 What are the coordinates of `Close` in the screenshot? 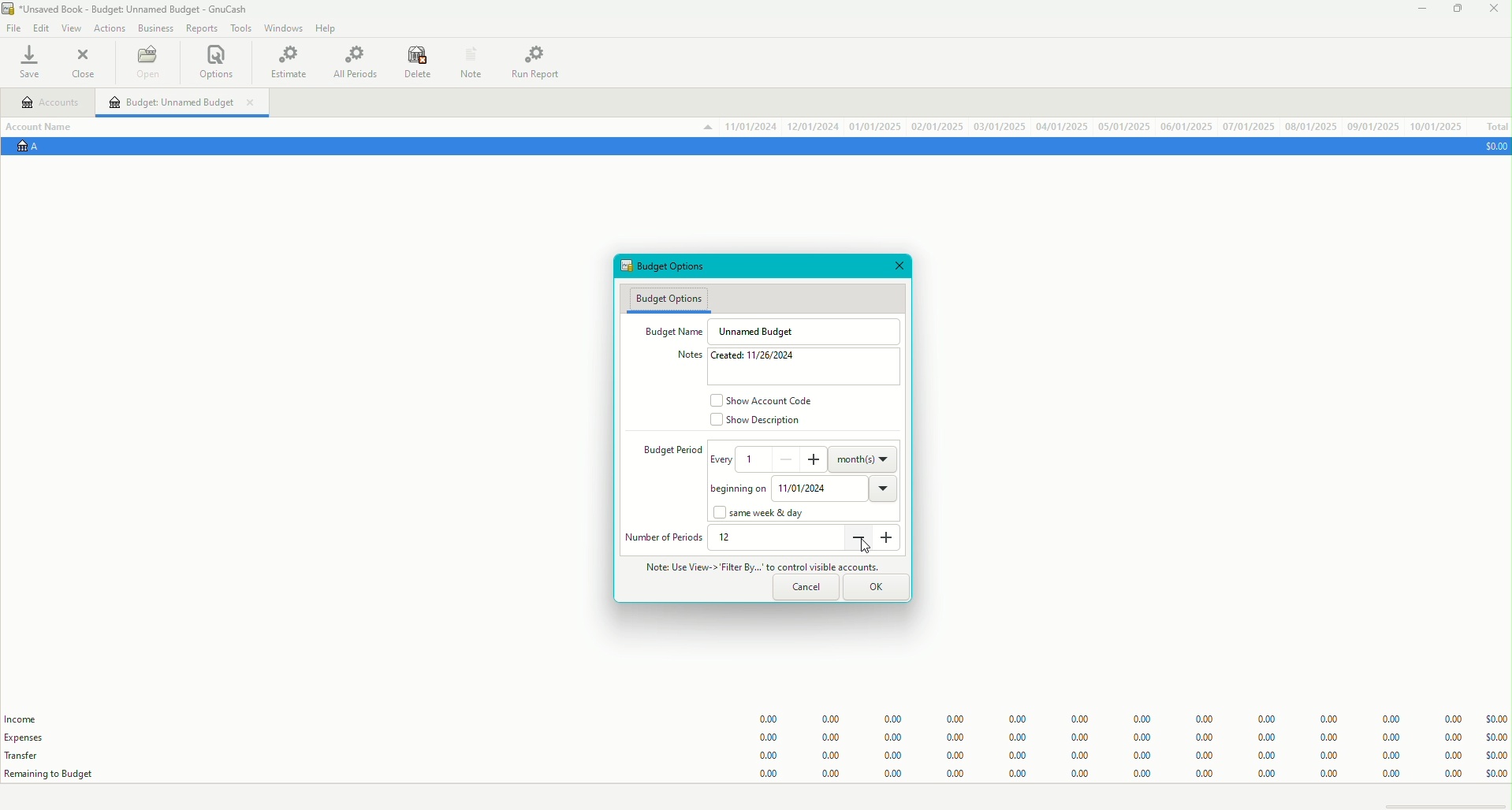 It's located at (1492, 10).